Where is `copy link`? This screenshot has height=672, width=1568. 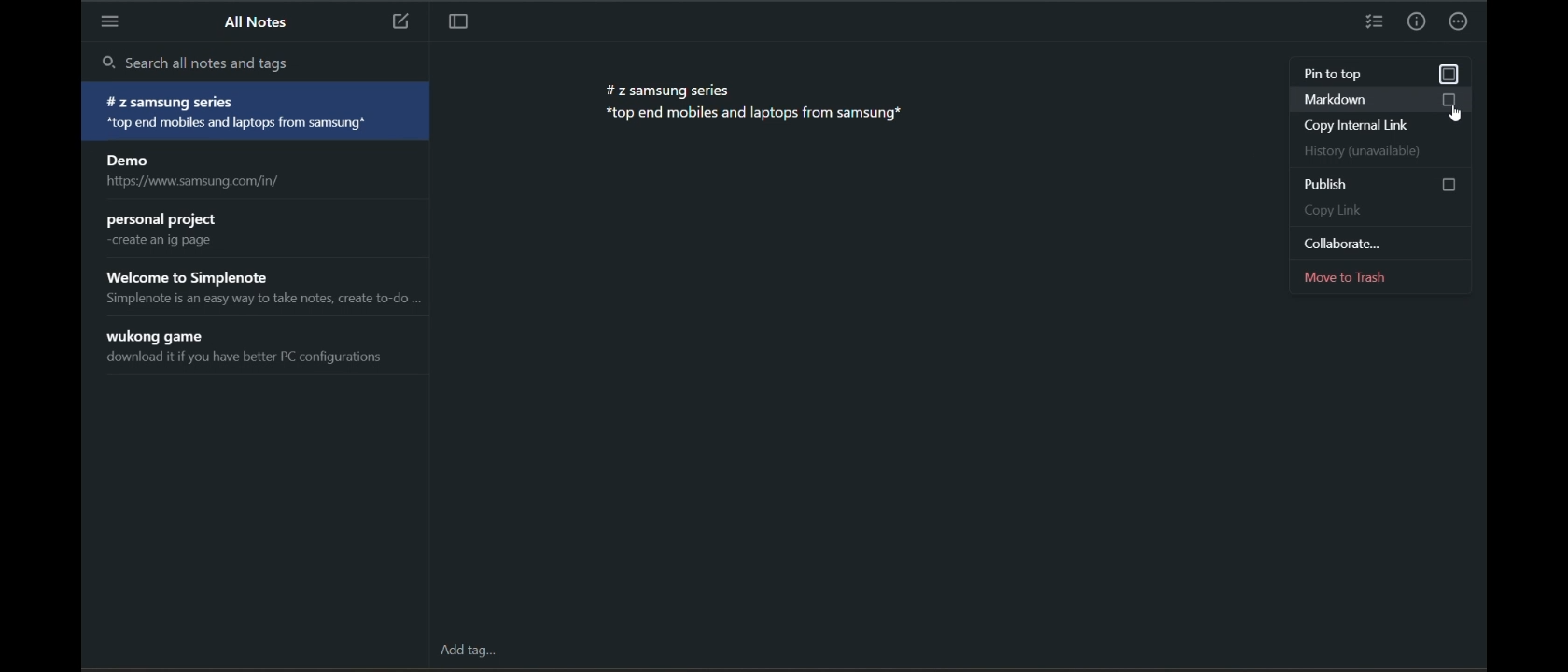 copy link is located at coordinates (1385, 211).